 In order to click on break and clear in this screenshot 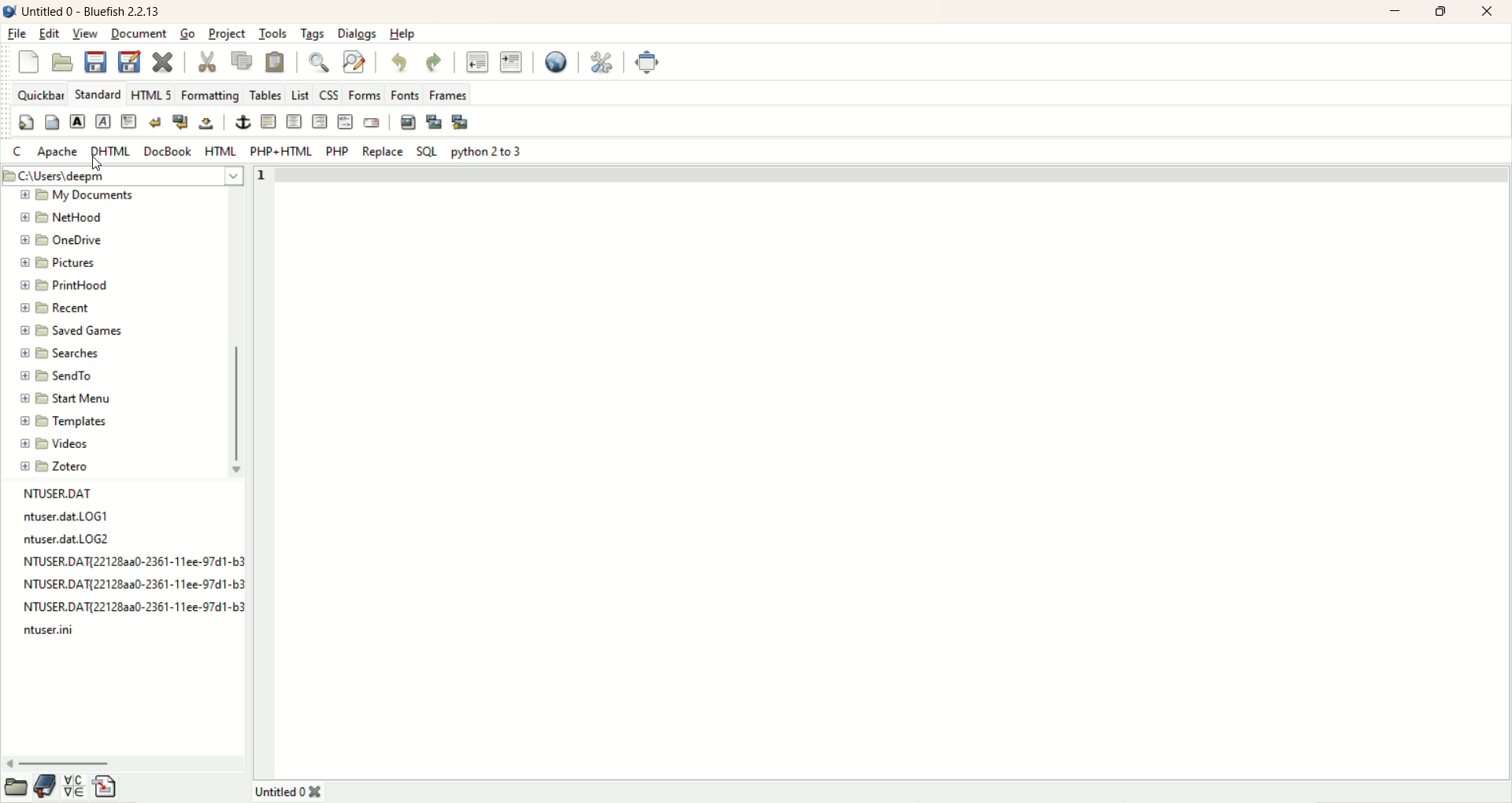, I will do `click(180, 121)`.